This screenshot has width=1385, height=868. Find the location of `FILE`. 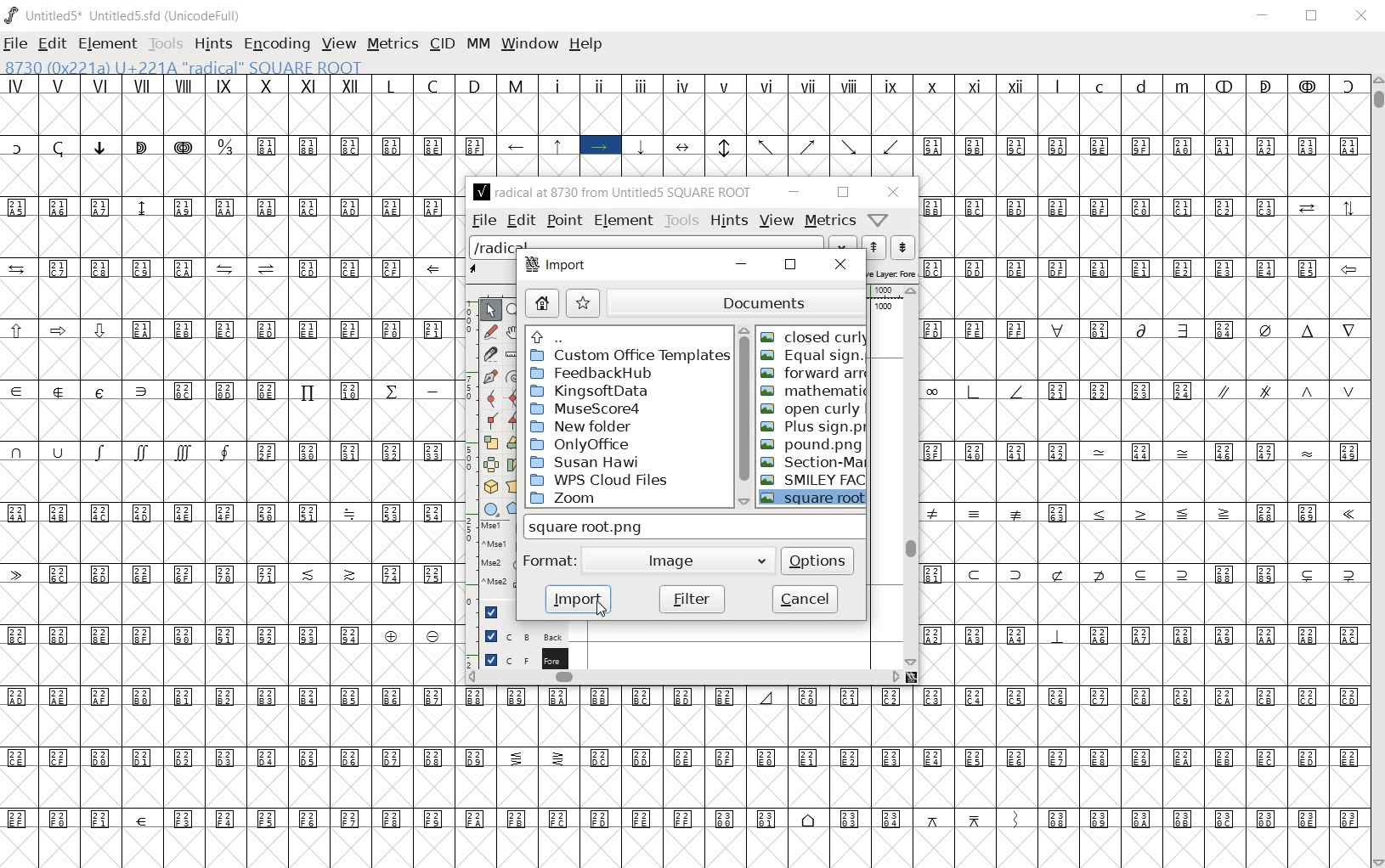

FILE is located at coordinates (15, 46).